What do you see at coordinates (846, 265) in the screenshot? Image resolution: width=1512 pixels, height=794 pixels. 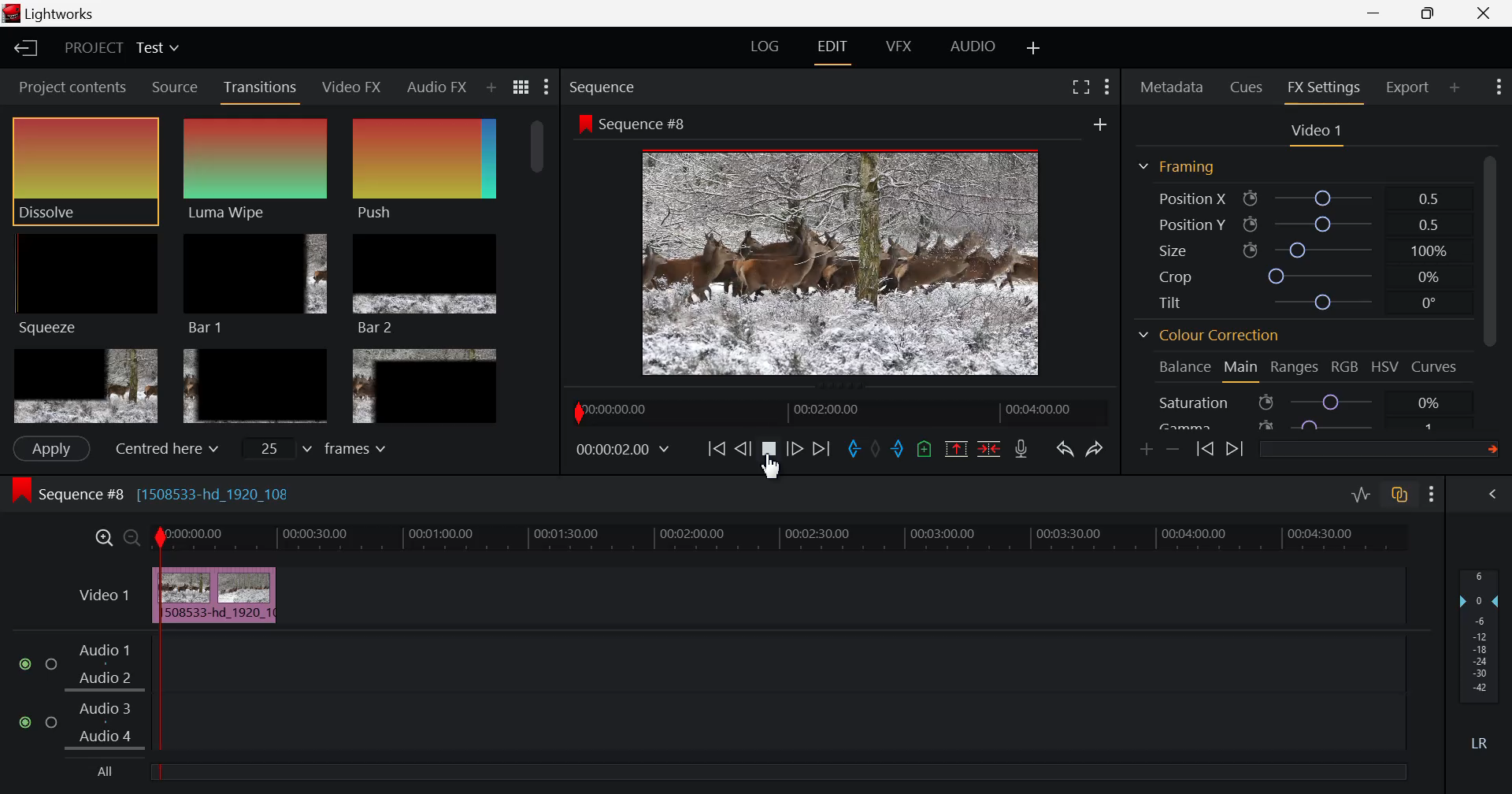 I see `Image` at bounding box center [846, 265].